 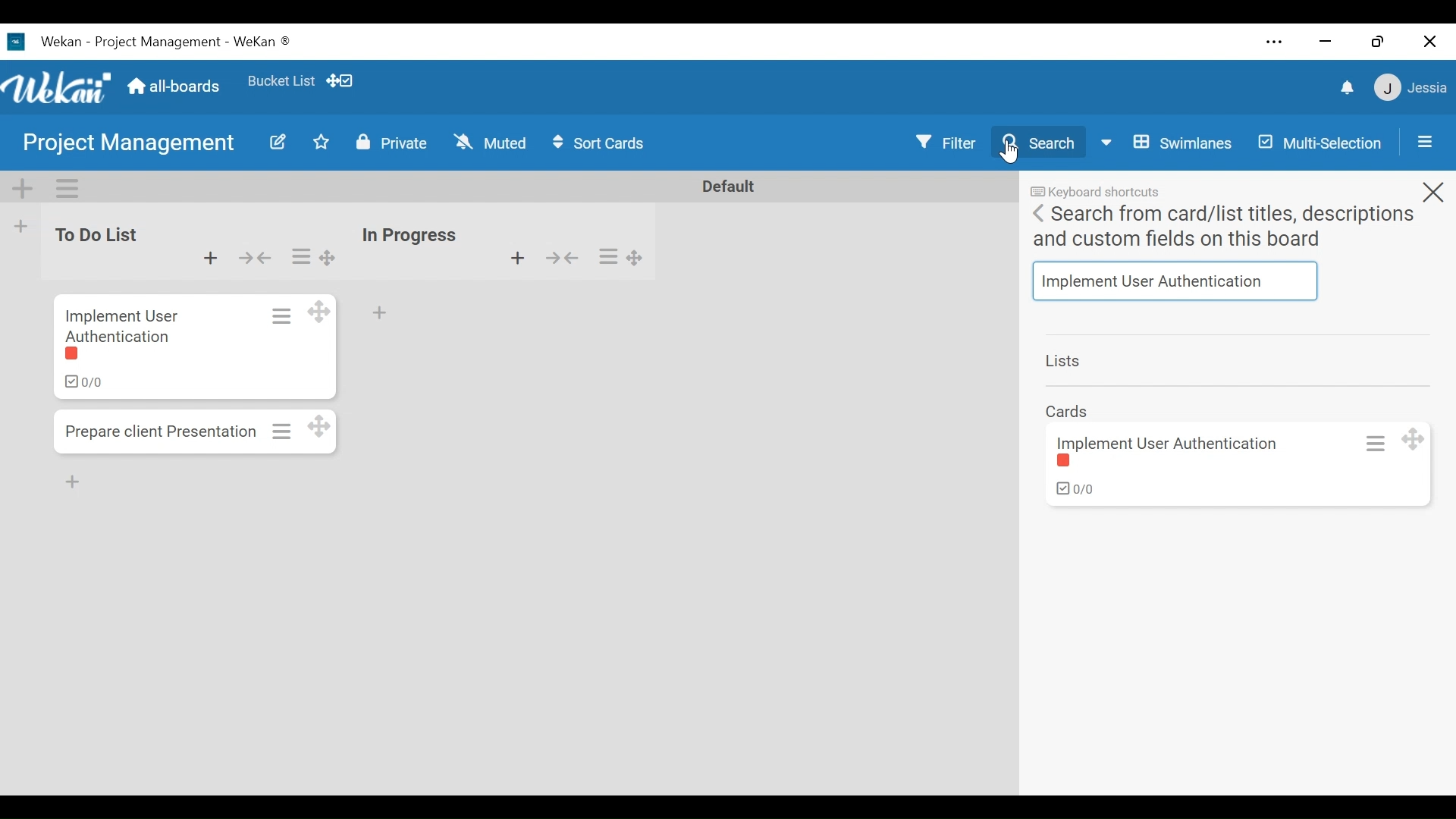 What do you see at coordinates (391, 144) in the screenshot?
I see `Private` at bounding box center [391, 144].